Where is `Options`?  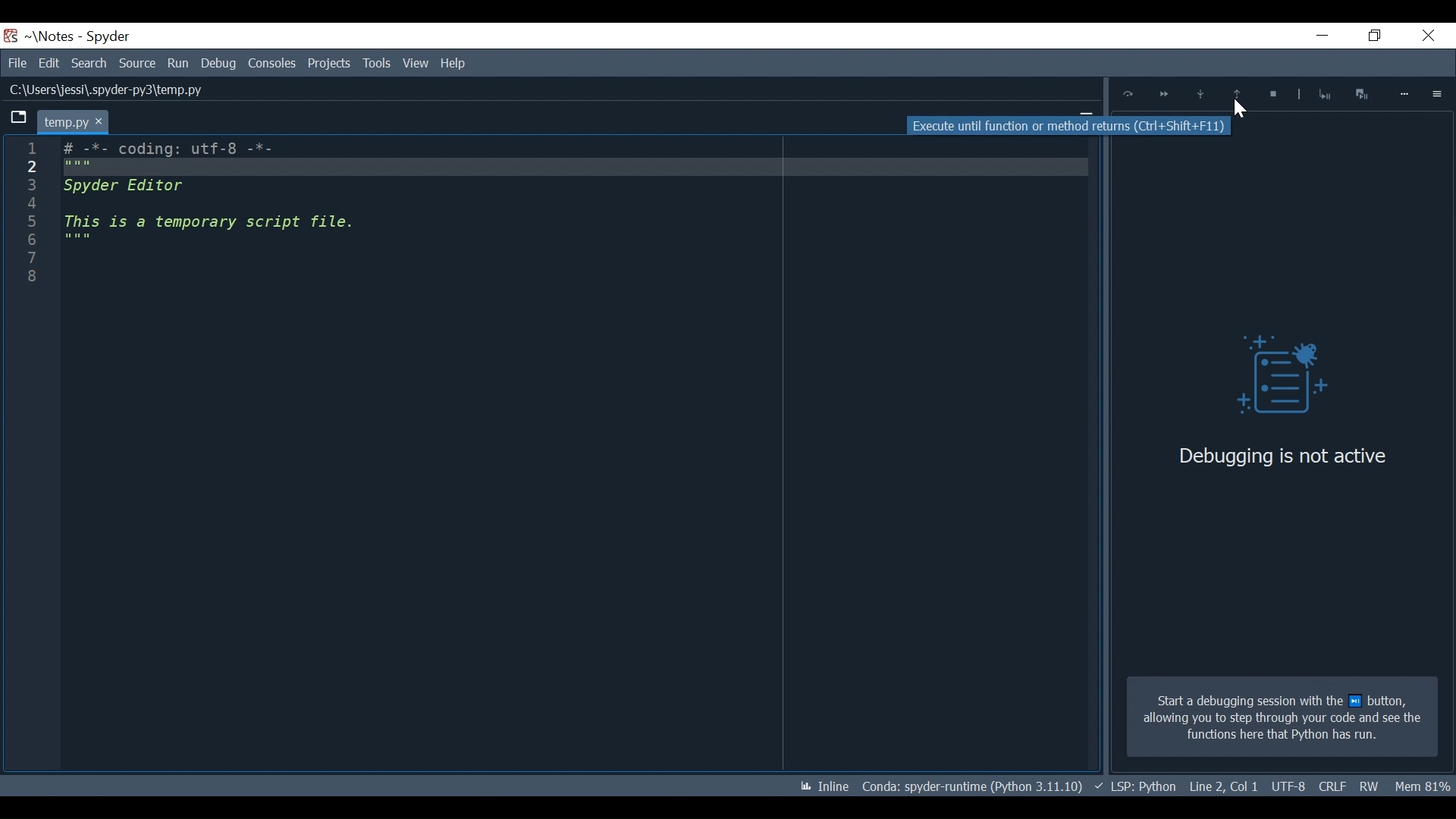
Options is located at coordinates (1438, 93).